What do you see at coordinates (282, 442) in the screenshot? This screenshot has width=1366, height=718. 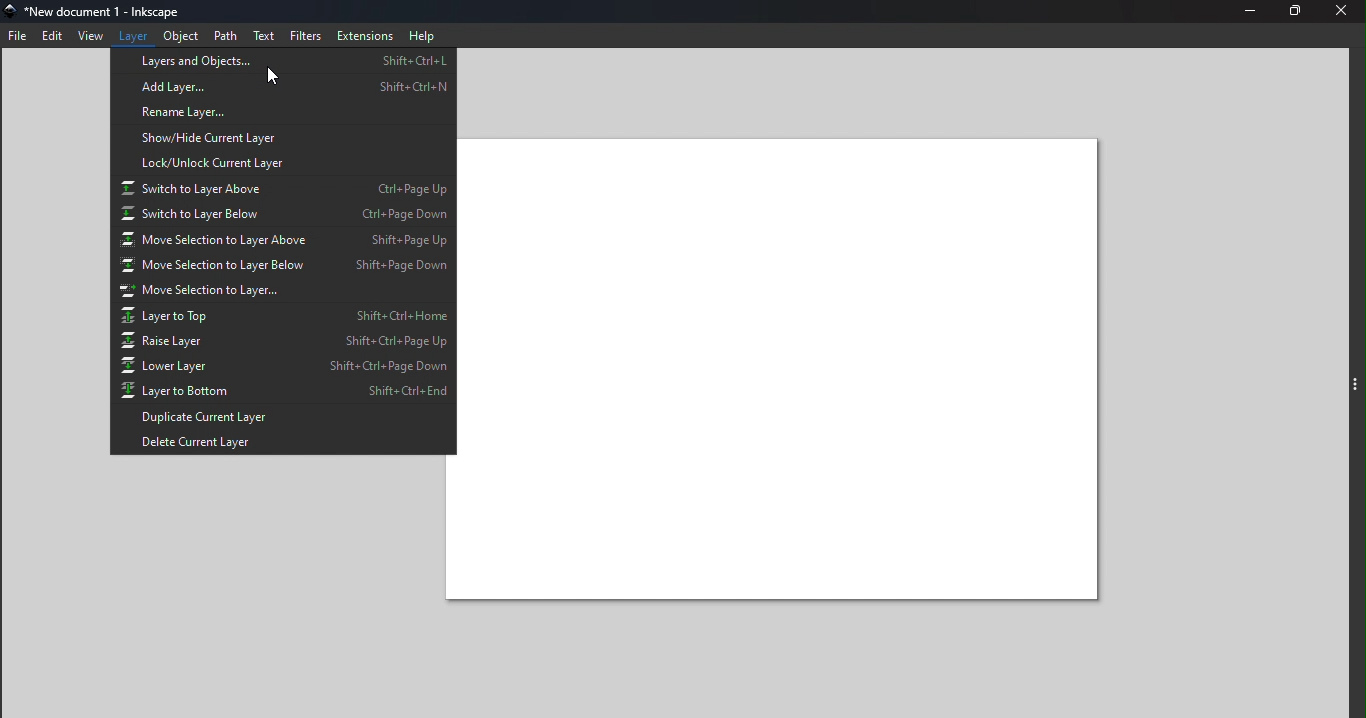 I see `Delete current layer` at bounding box center [282, 442].